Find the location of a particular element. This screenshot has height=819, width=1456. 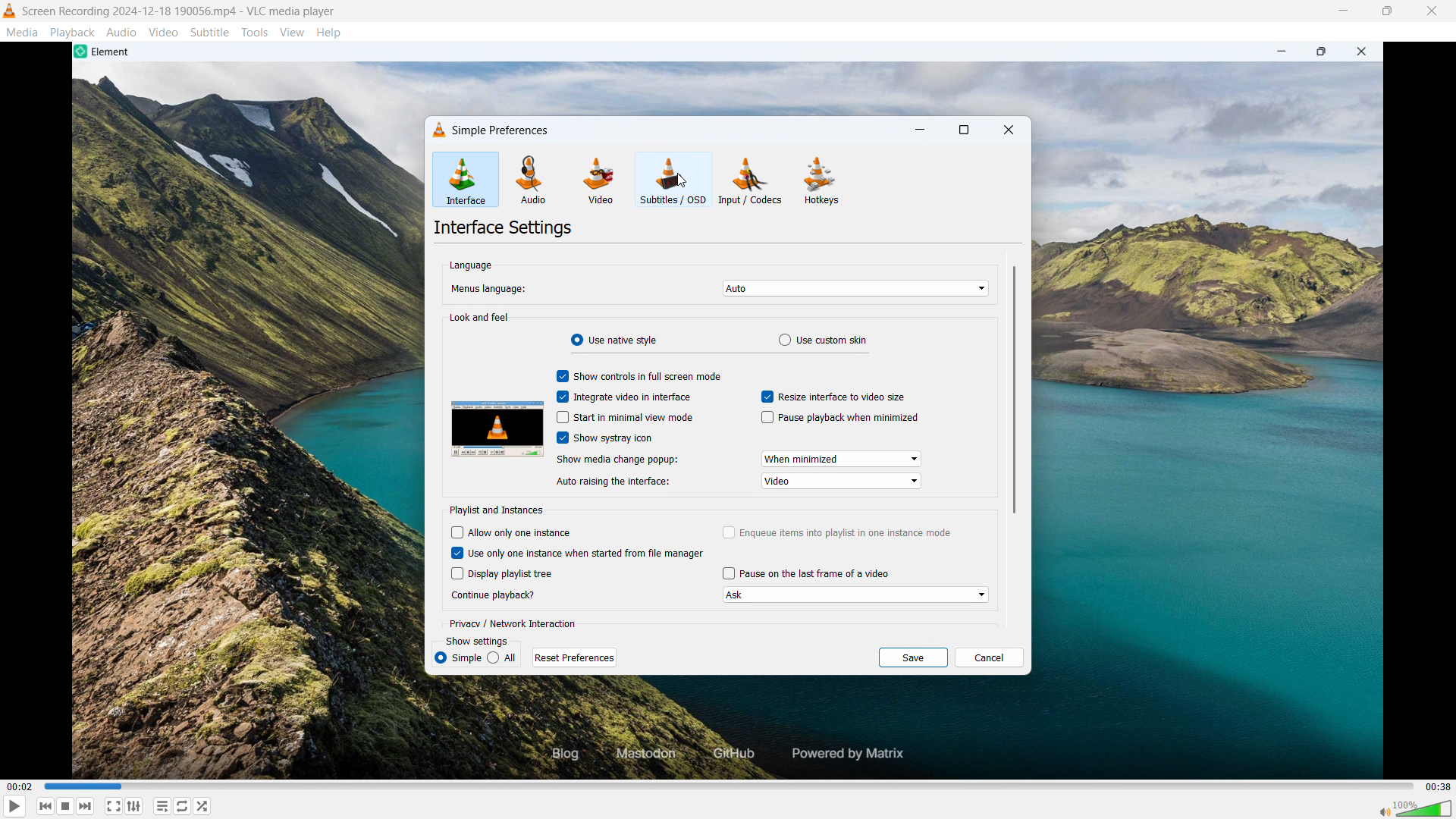

show systray icon is located at coordinates (604, 437).